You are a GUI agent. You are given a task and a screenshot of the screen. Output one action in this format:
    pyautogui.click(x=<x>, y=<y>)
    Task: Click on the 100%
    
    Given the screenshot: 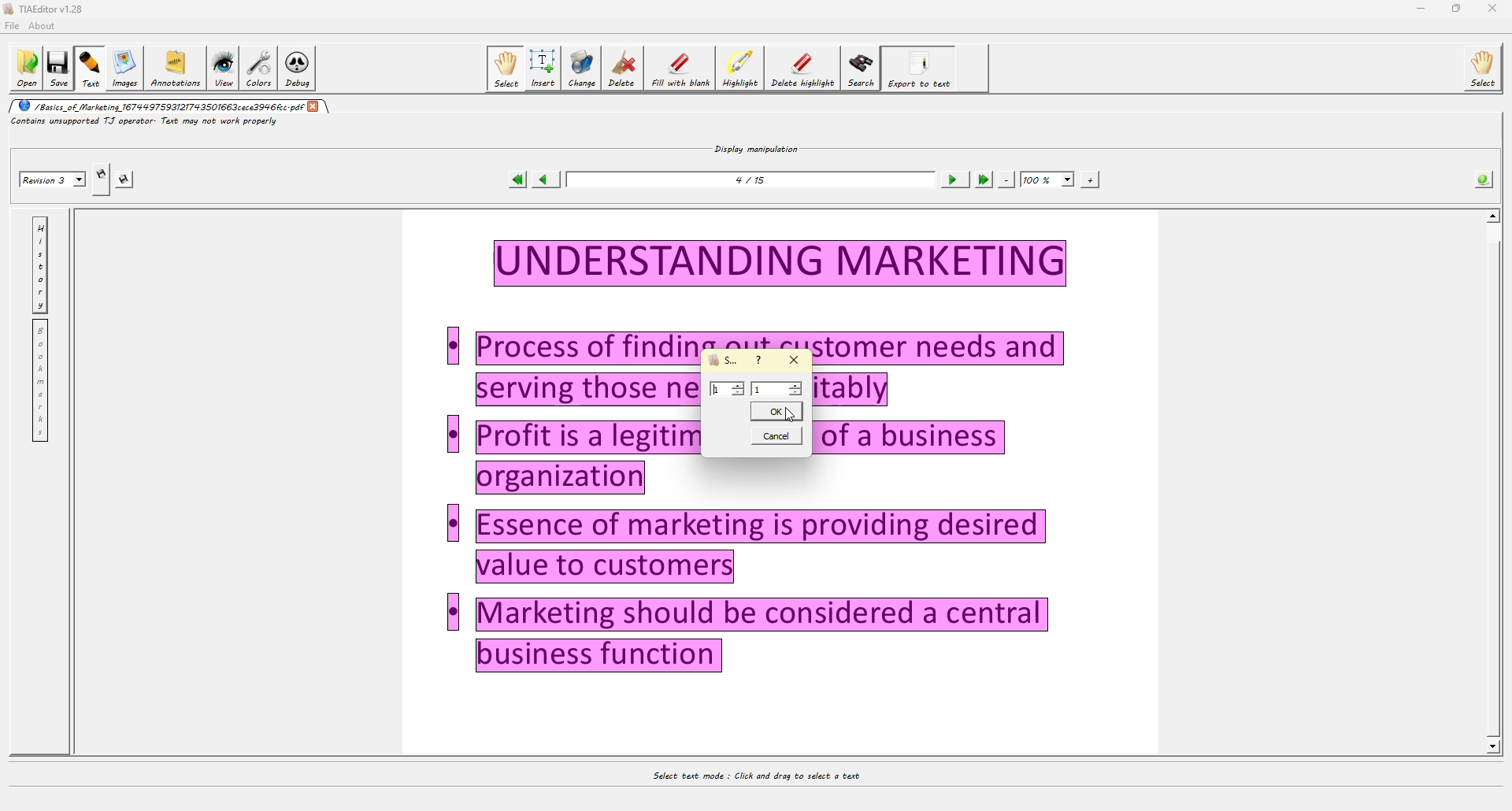 What is the action you would take?
    pyautogui.click(x=1046, y=178)
    